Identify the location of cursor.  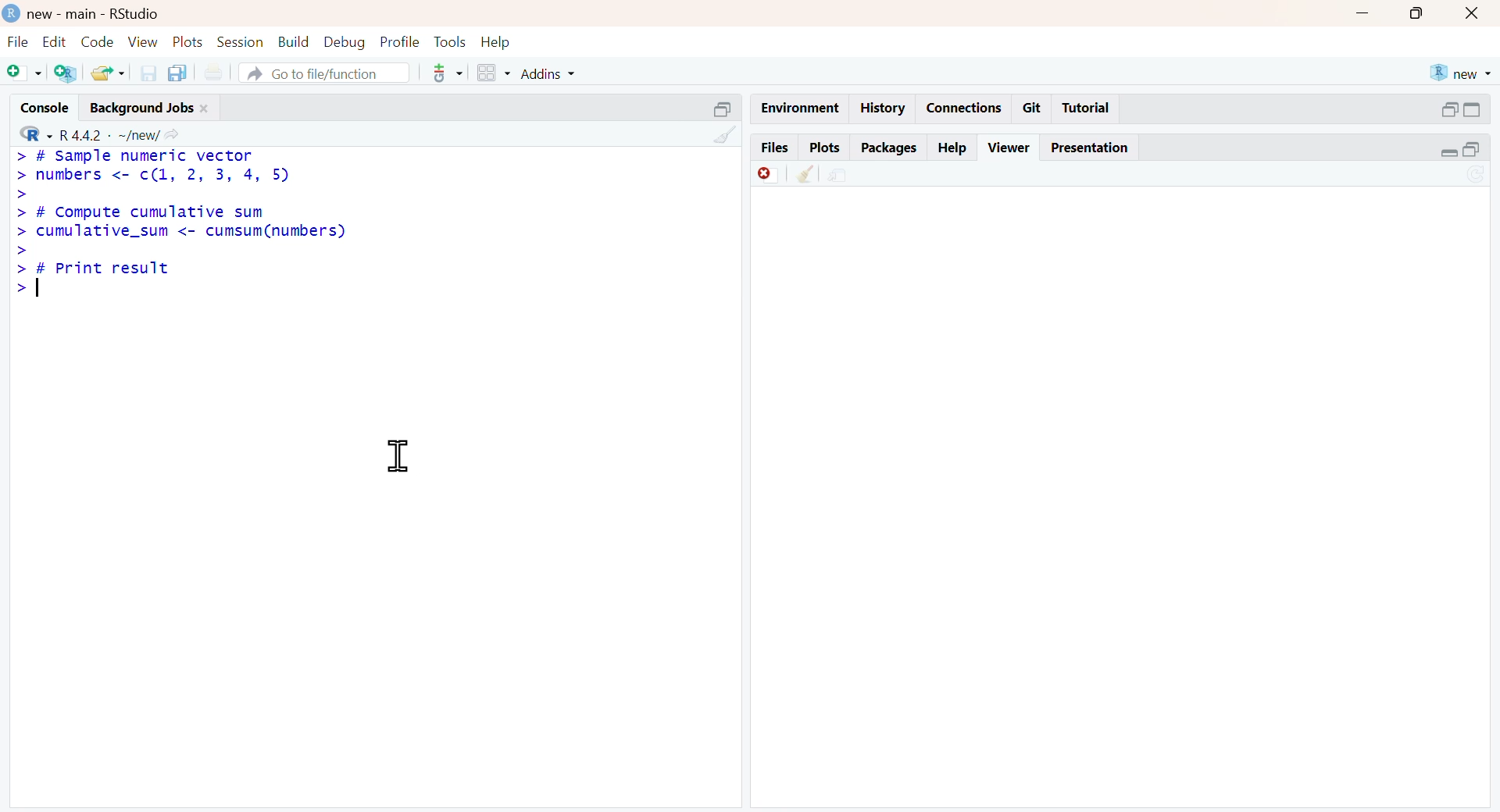
(400, 455).